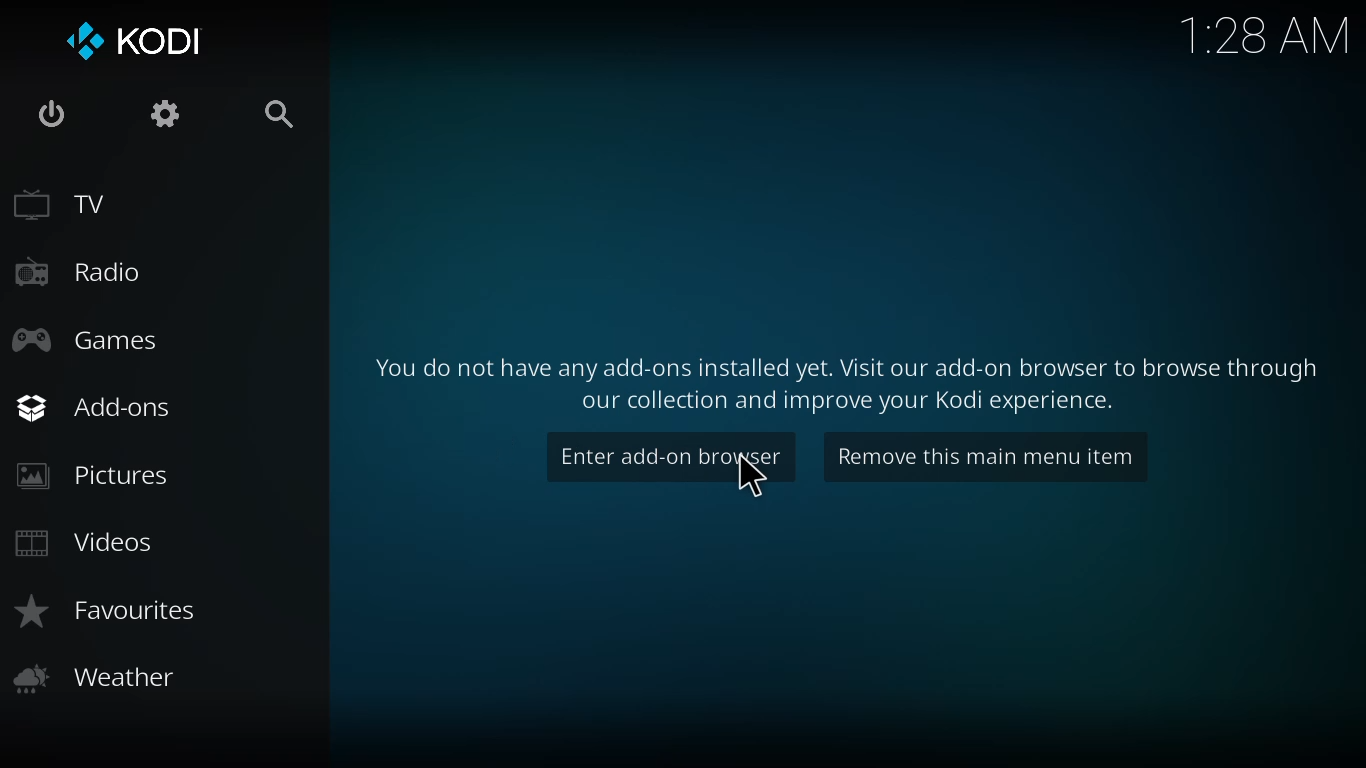  Describe the element at coordinates (94, 677) in the screenshot. I see `weather` at that location.